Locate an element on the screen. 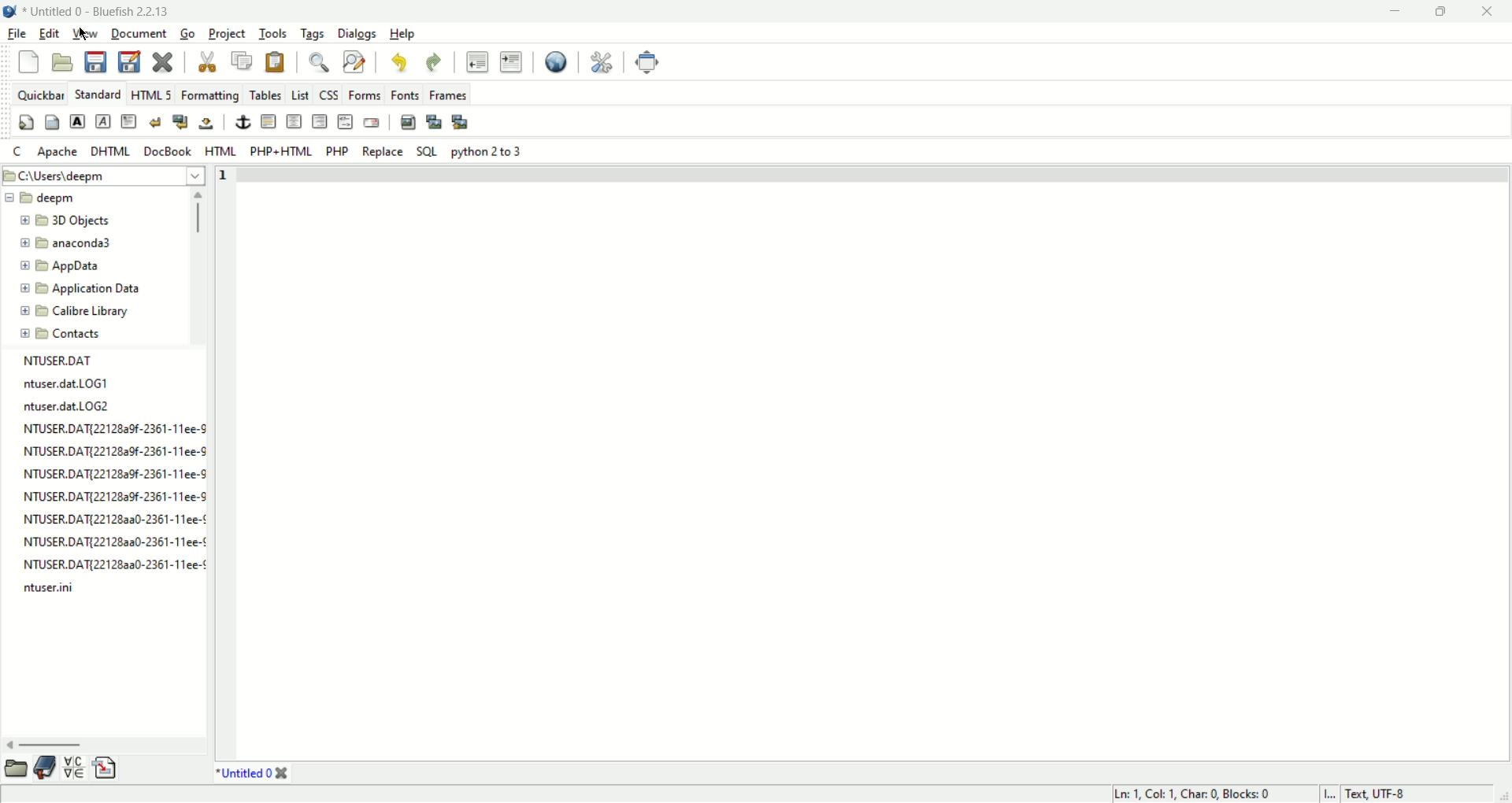 This screenshot has height=803, width=1512. formatting is located at coordinates (213, 94).